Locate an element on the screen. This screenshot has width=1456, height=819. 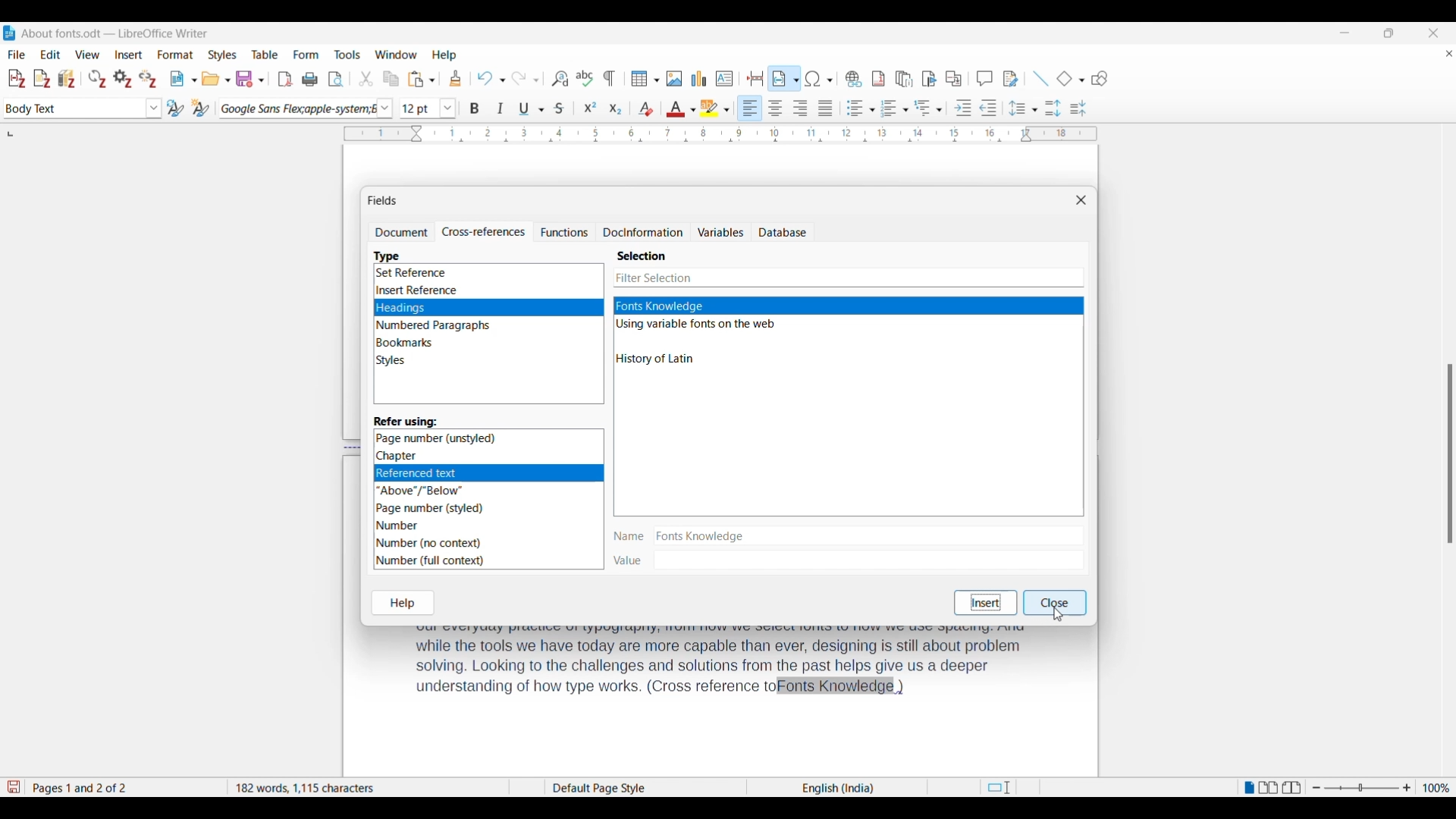
Insert endnote is located at coordinates (904, 80).